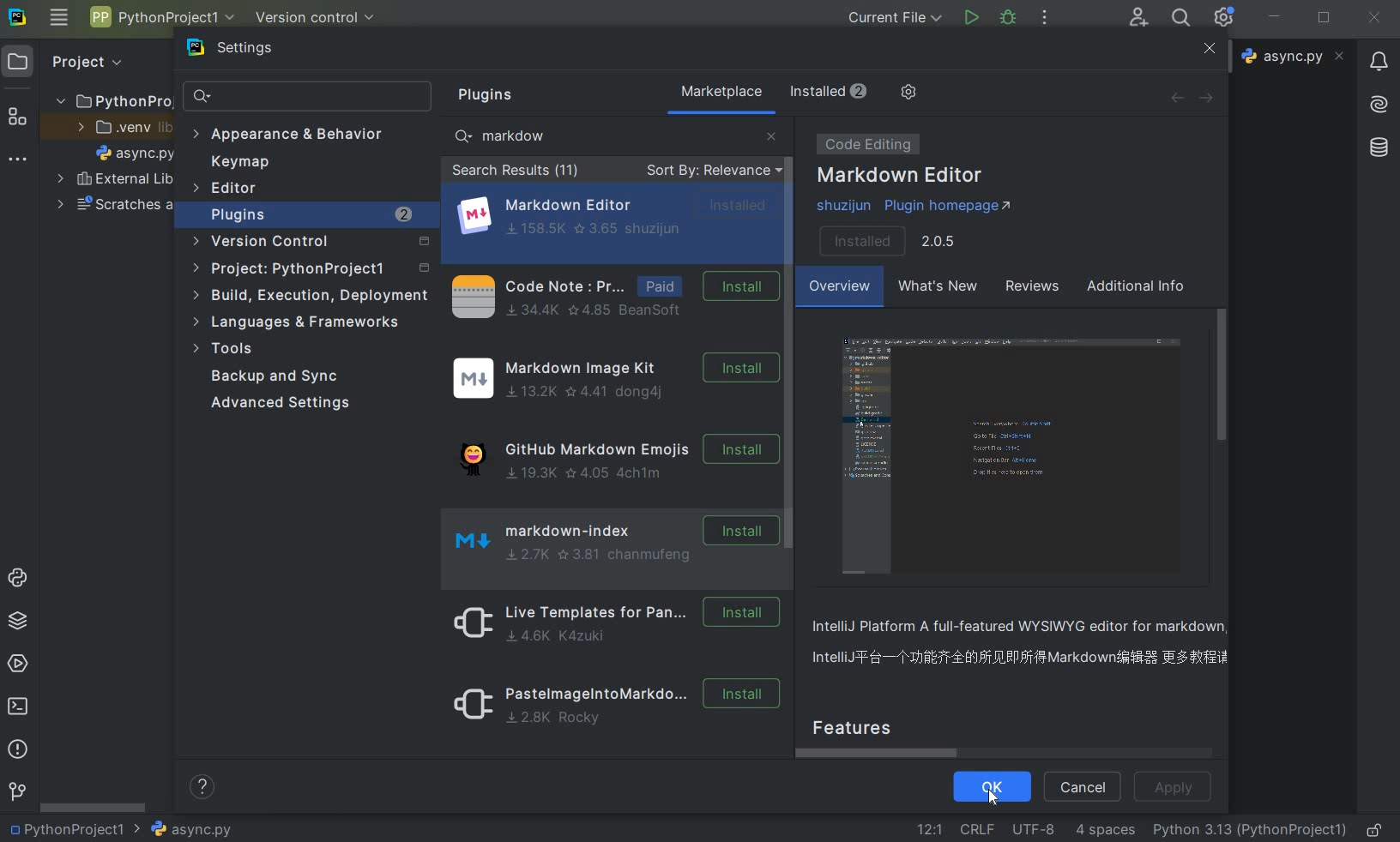  I want to click on close, so click(771, 135).